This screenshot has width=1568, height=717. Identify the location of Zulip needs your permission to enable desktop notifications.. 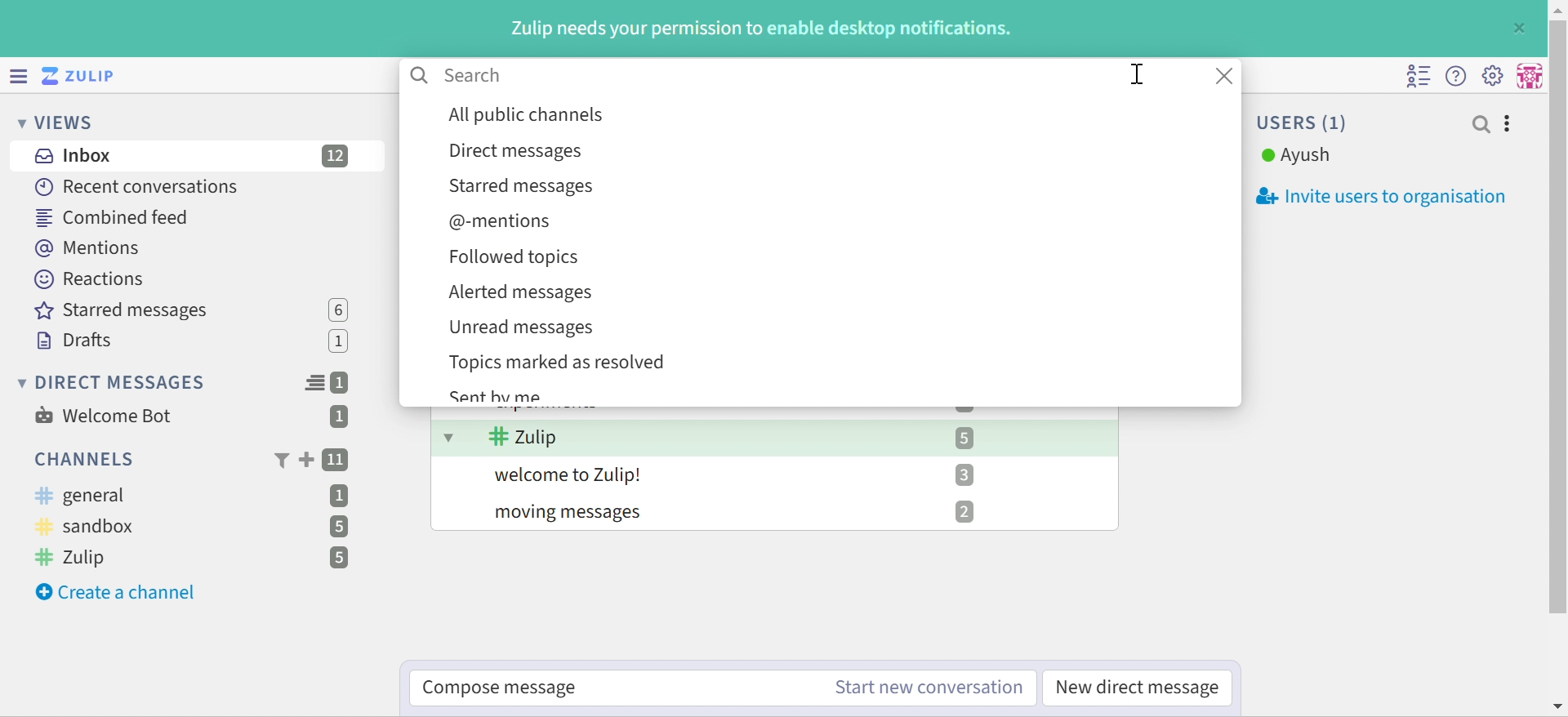
(764, 29).